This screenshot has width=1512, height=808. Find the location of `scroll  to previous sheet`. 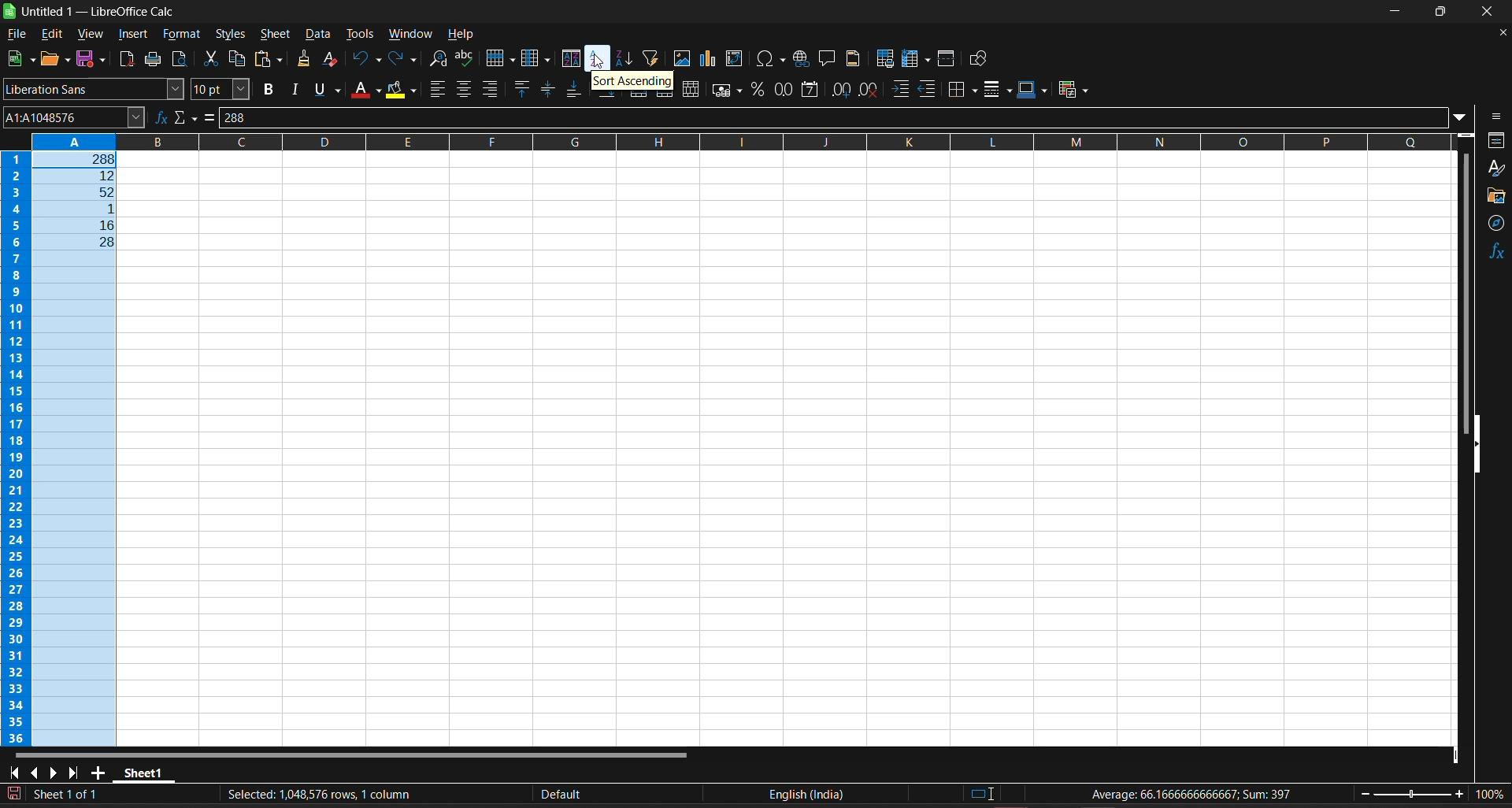

scroll  to previous sheet is located at coordinates (33, 770).